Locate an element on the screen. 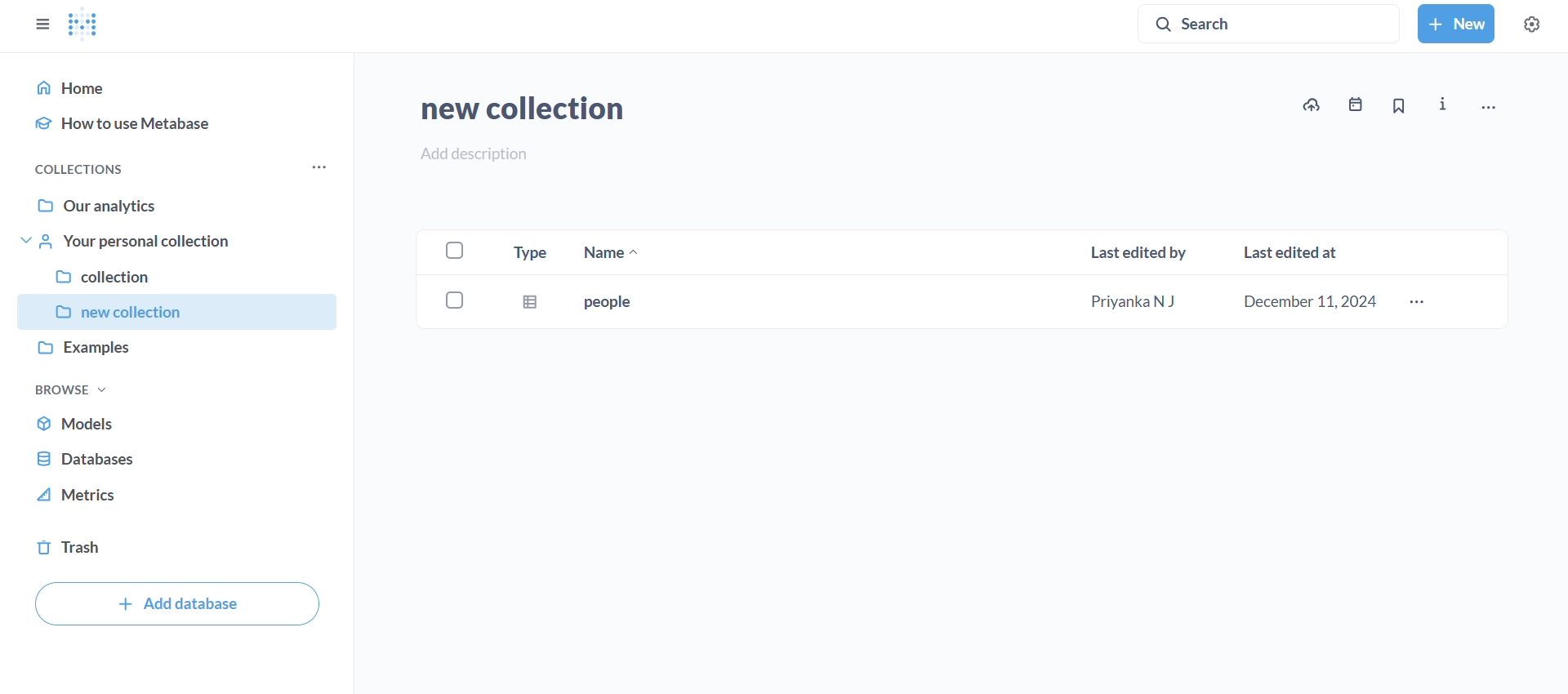 The height and width of the screenshot is (694, 1568). your personal collection is located at coordinates (180, 241).